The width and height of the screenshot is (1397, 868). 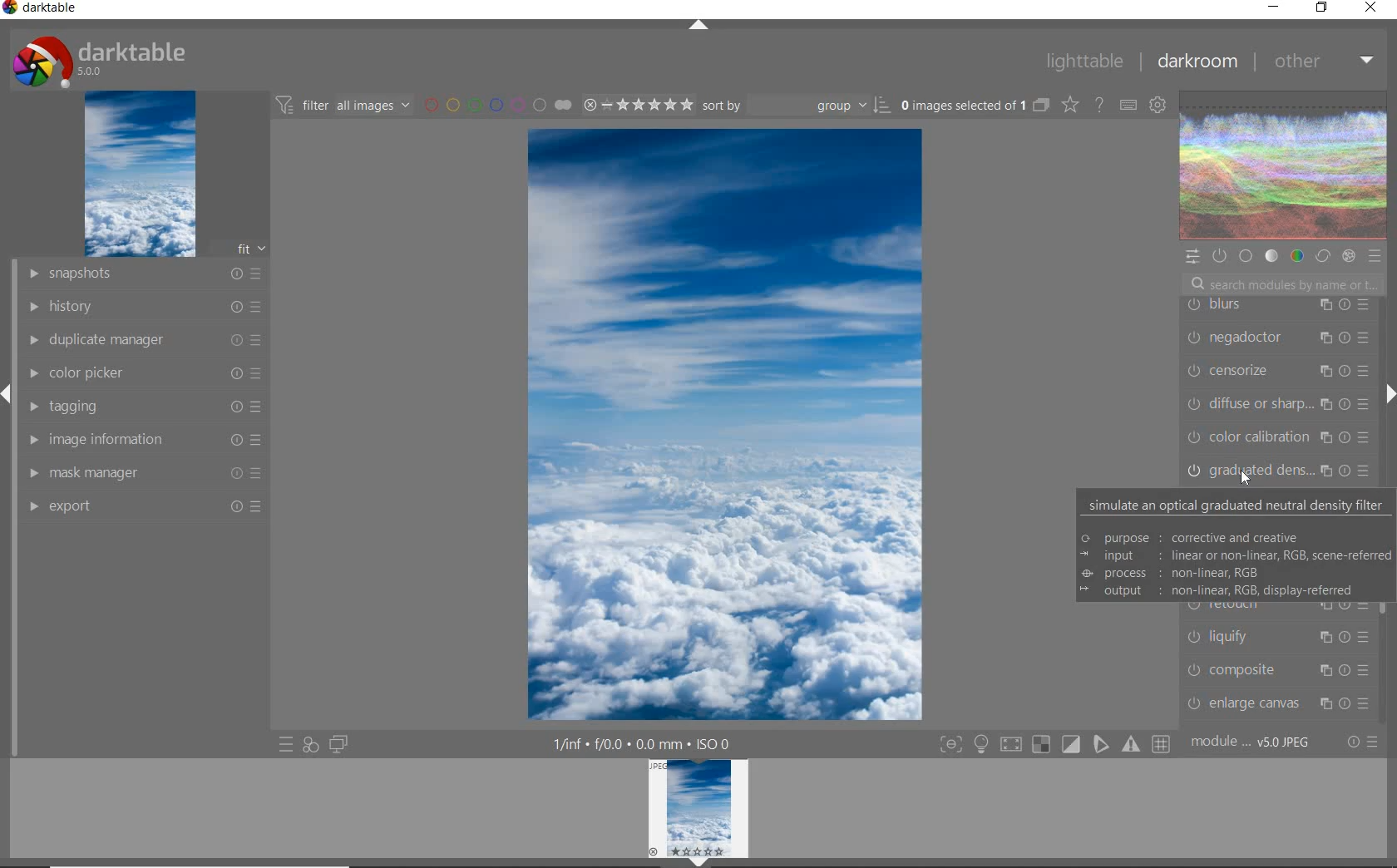 What do you see at coordinates (1271, 258) in the screenshot?
I see `TONE` at bounding box center [1271, 258].